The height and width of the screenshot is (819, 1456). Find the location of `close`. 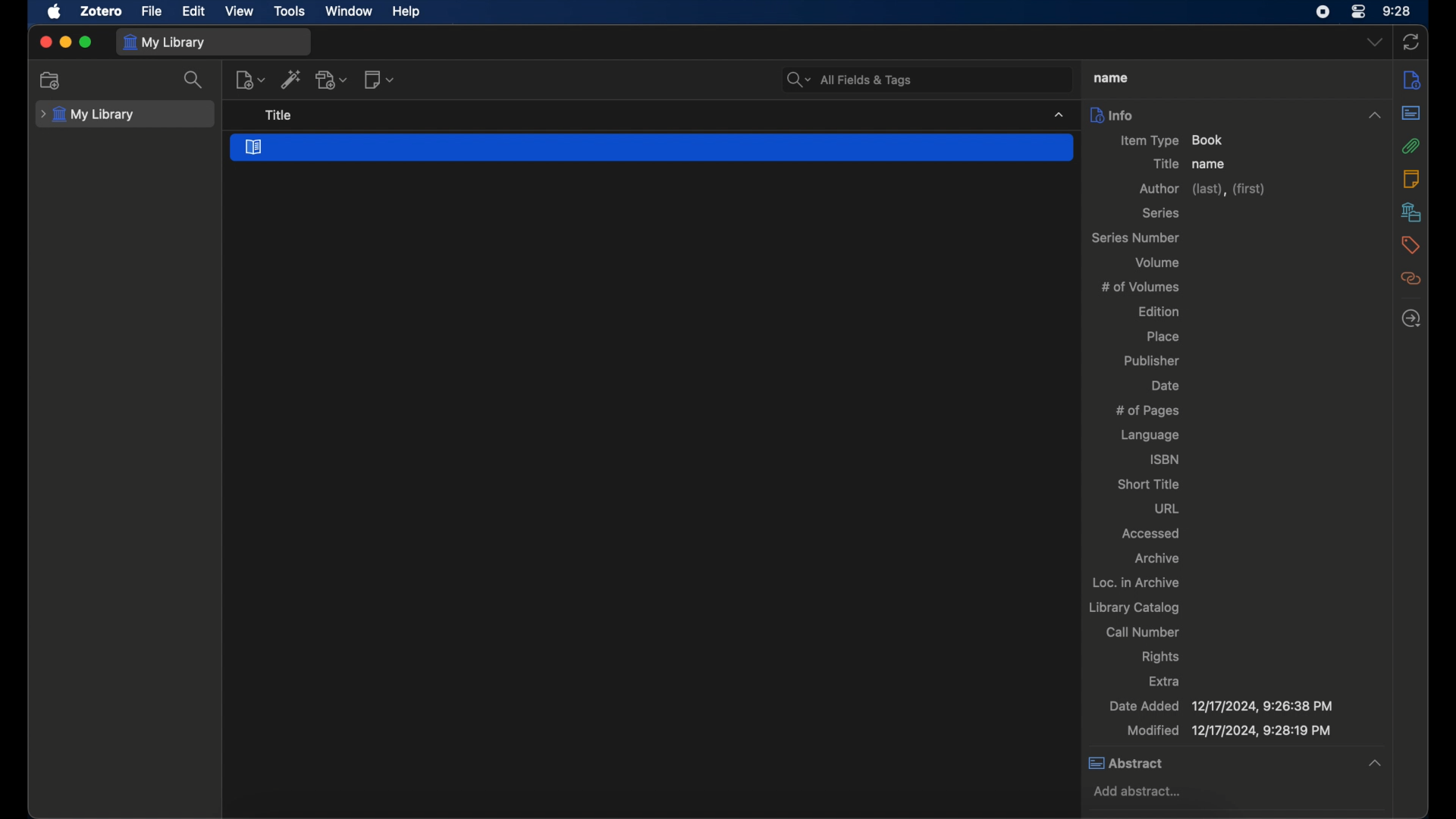

close is located at coordinates (45, 42).